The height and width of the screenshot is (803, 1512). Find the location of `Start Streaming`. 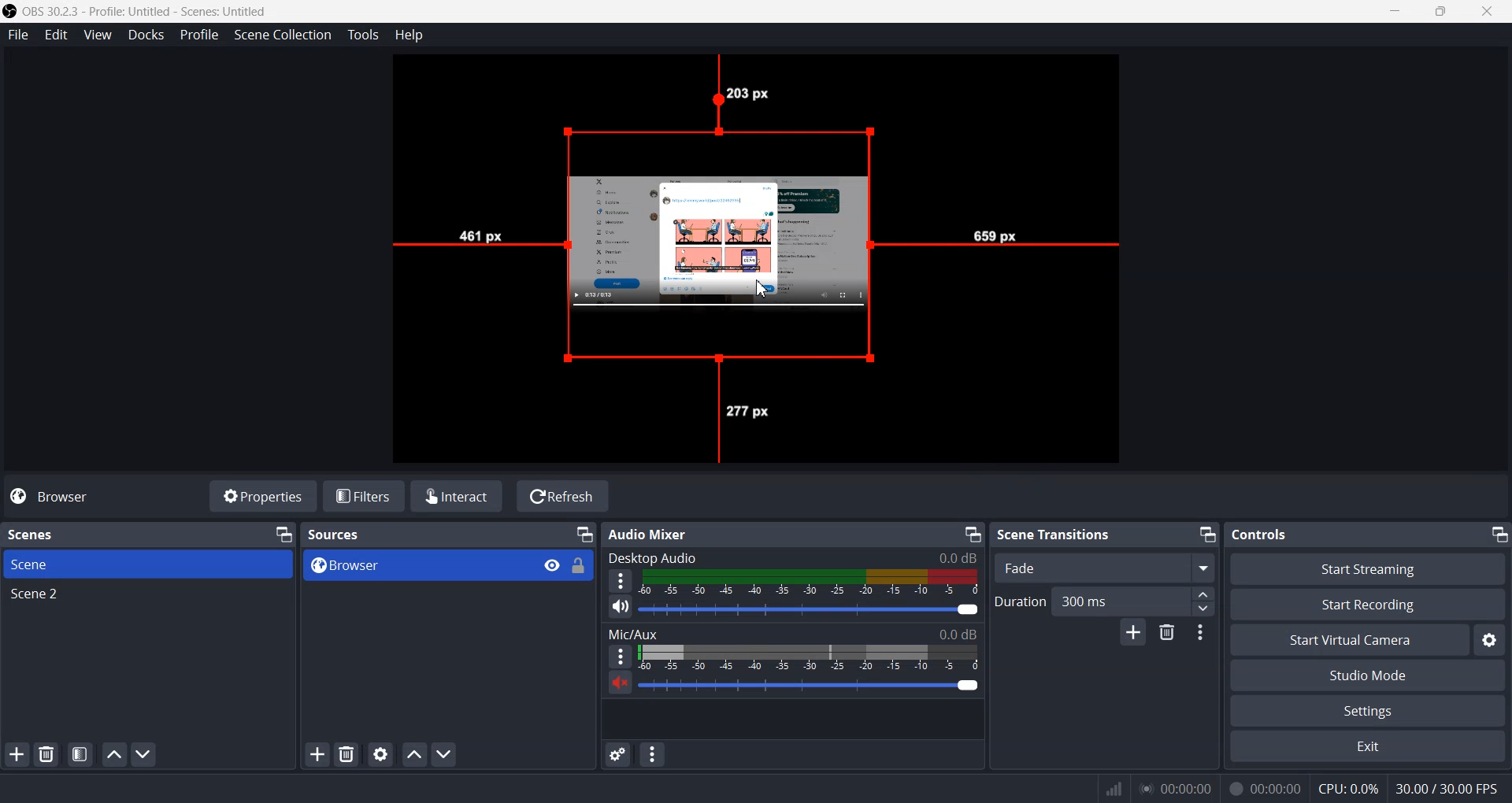

Start Streaming is located at coordinates (1367, 567).